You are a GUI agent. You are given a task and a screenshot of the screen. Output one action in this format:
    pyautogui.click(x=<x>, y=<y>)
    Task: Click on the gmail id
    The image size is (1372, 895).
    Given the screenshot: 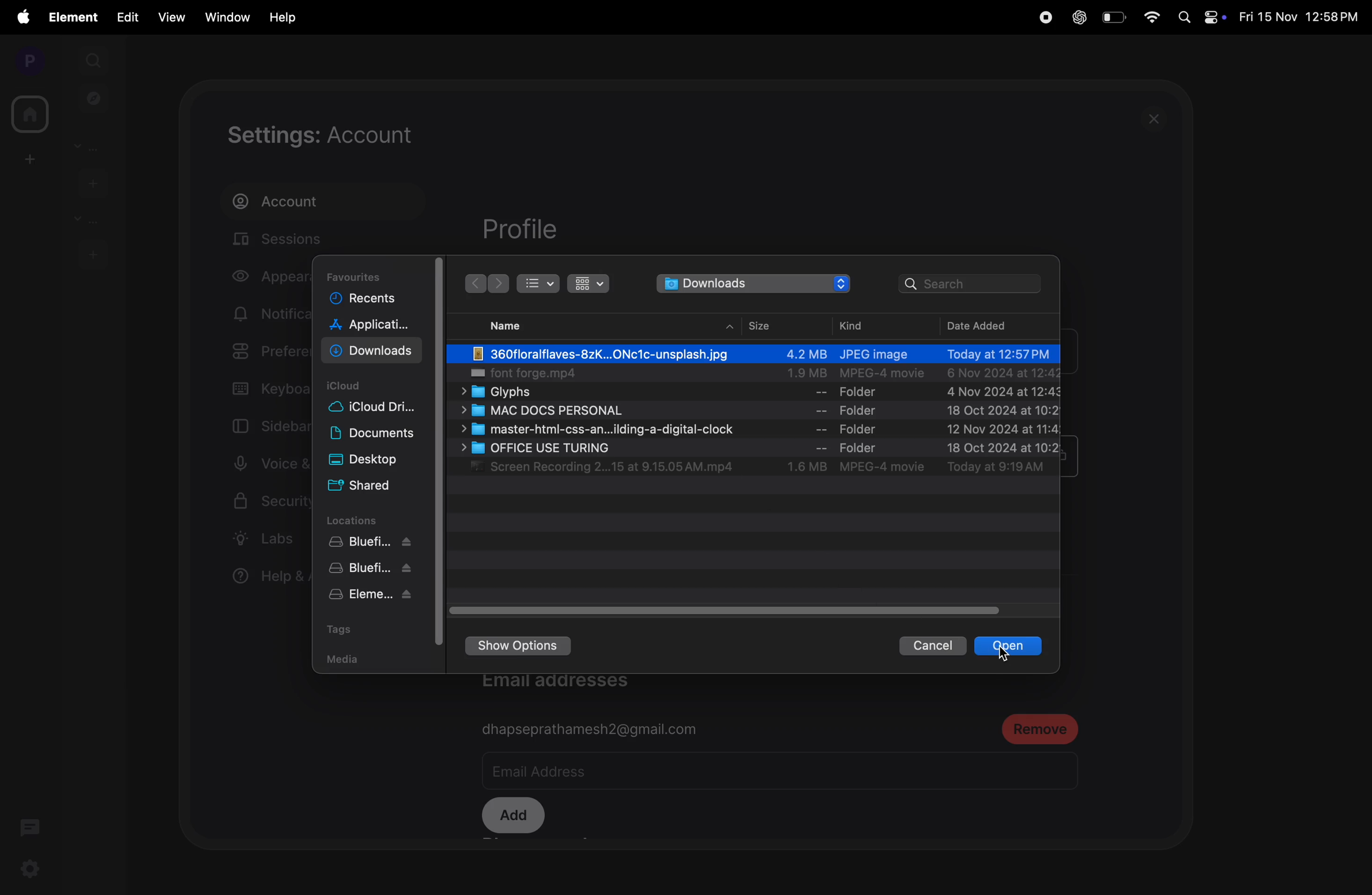 What is the action you would take?
    pyautogui.click(x=593, y=729)
    